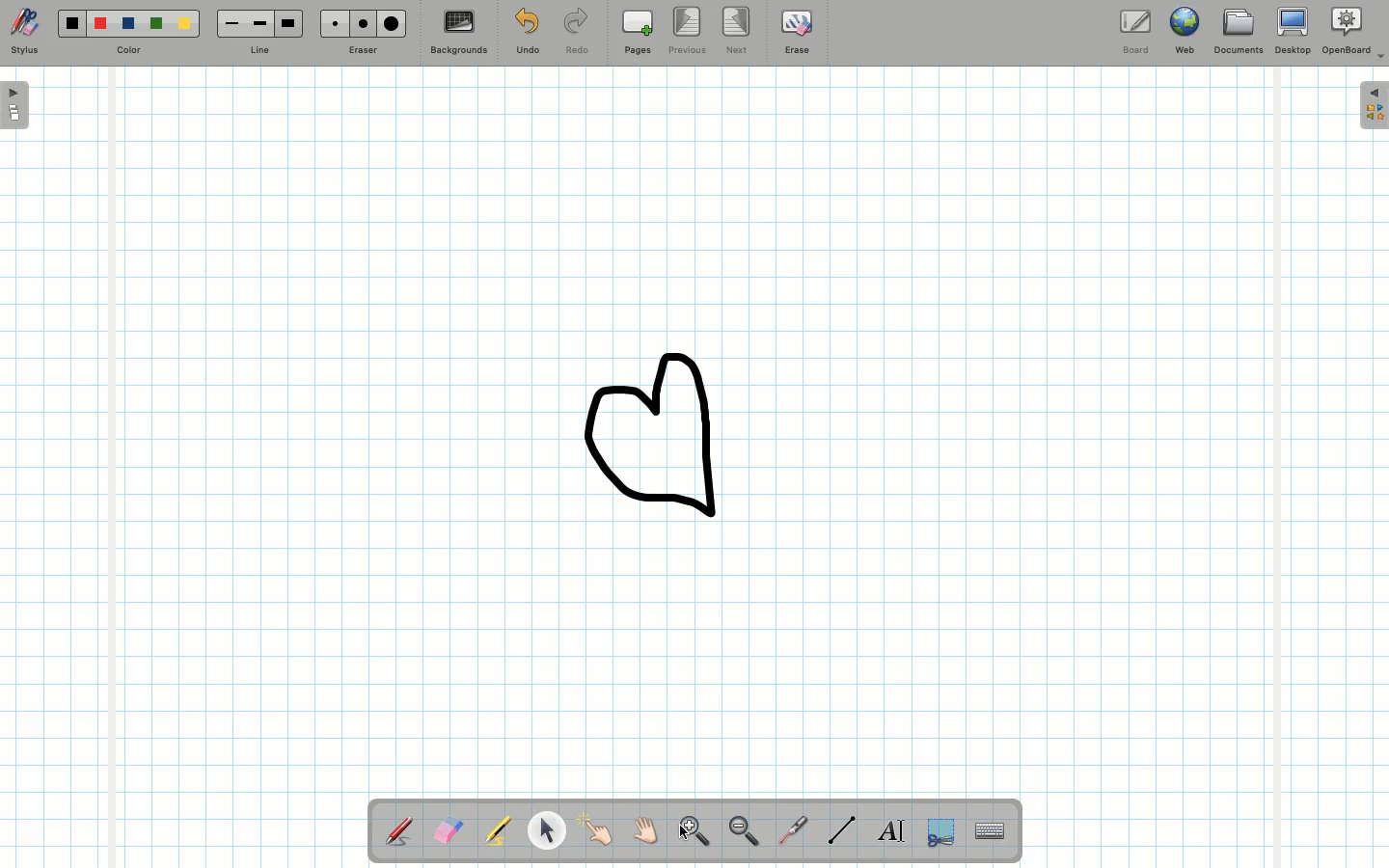  I want to click on Zoom out, so click(744, 832).